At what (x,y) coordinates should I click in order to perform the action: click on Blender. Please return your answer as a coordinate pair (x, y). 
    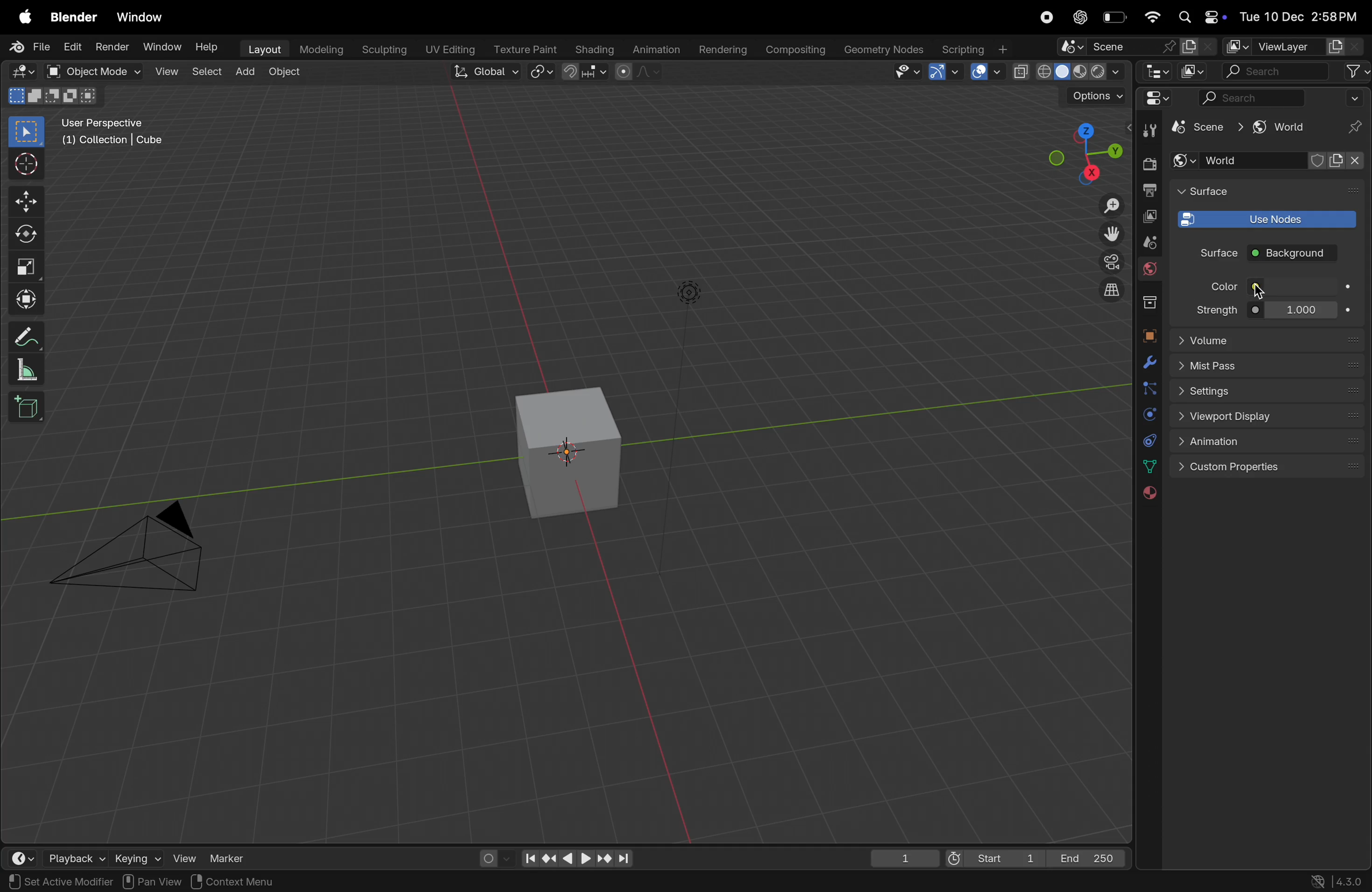
    Looking at the image, I should click on (74, 18).